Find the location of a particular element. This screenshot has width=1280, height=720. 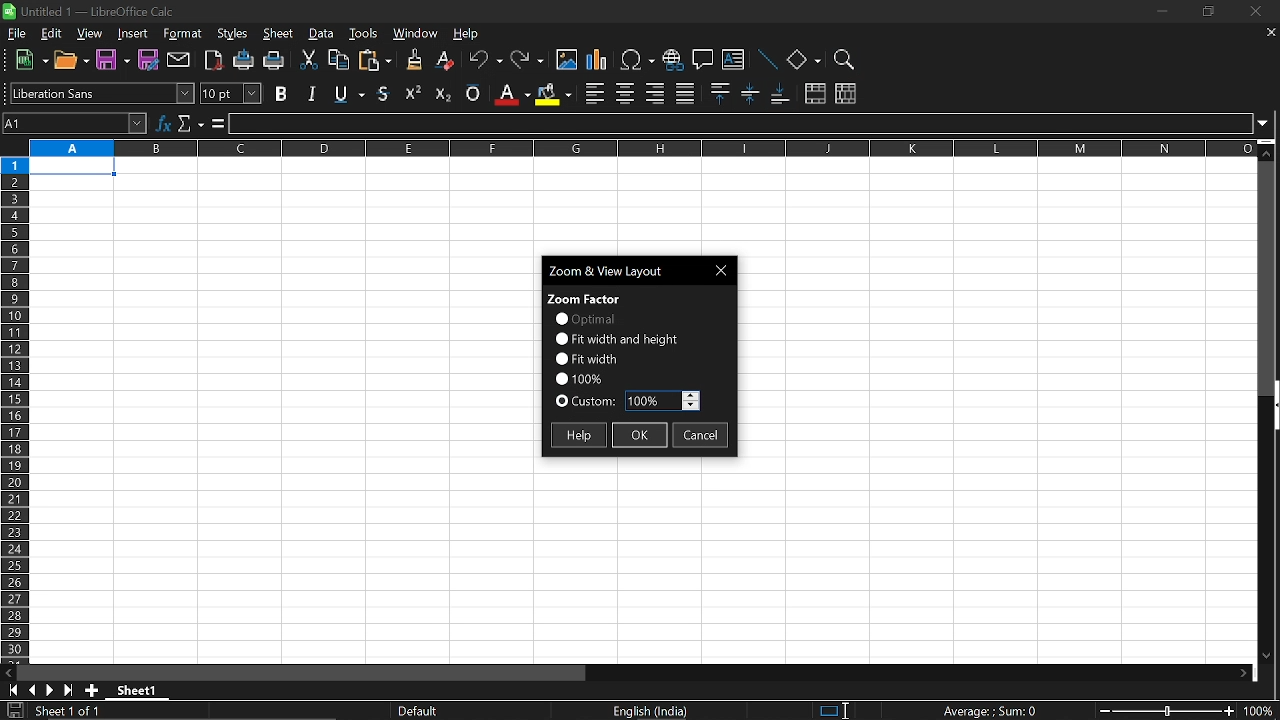

rows is located at coordinates (13, 408).